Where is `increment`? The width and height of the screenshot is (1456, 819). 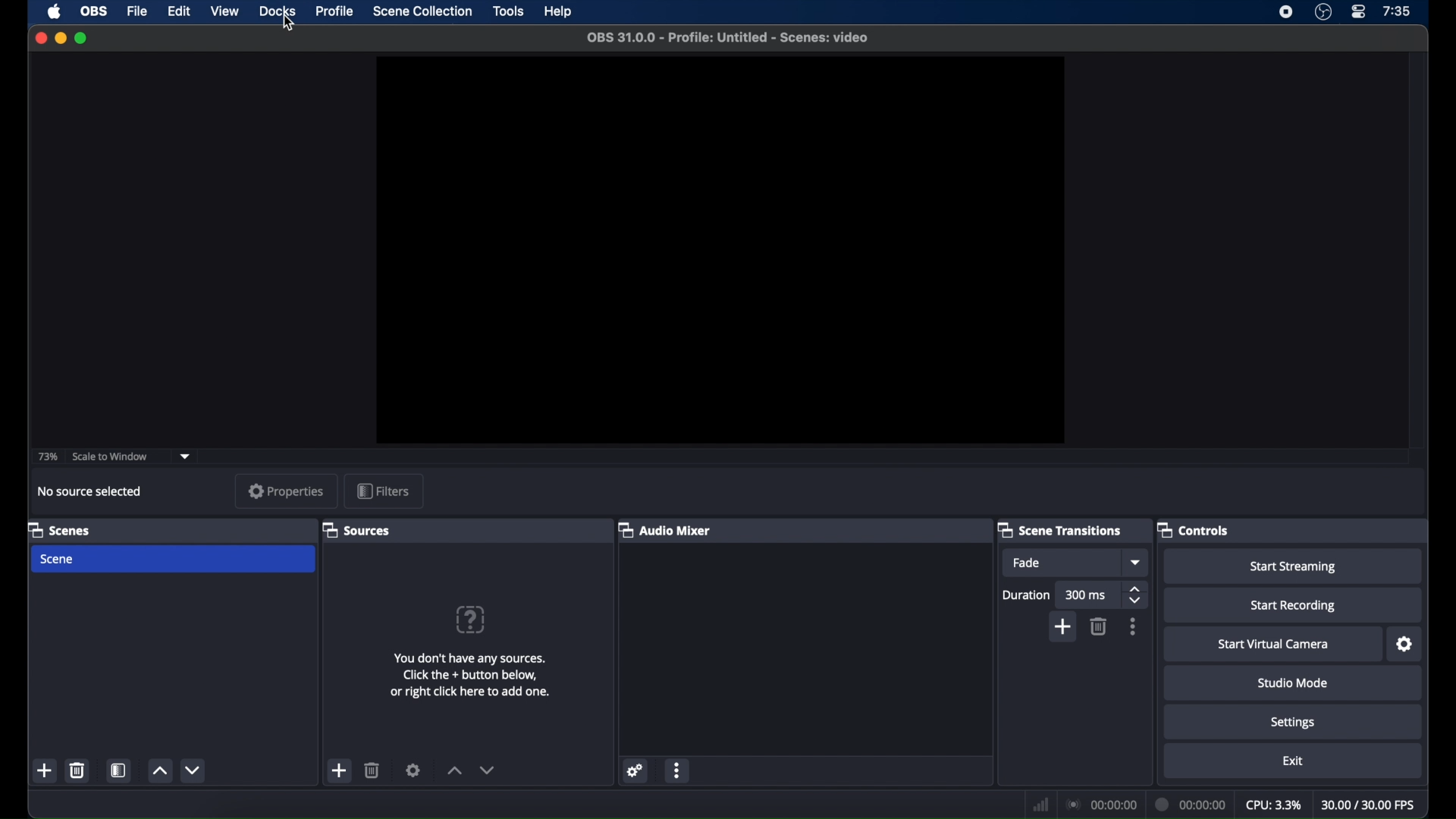 increment is located at coordinates (159, 771).